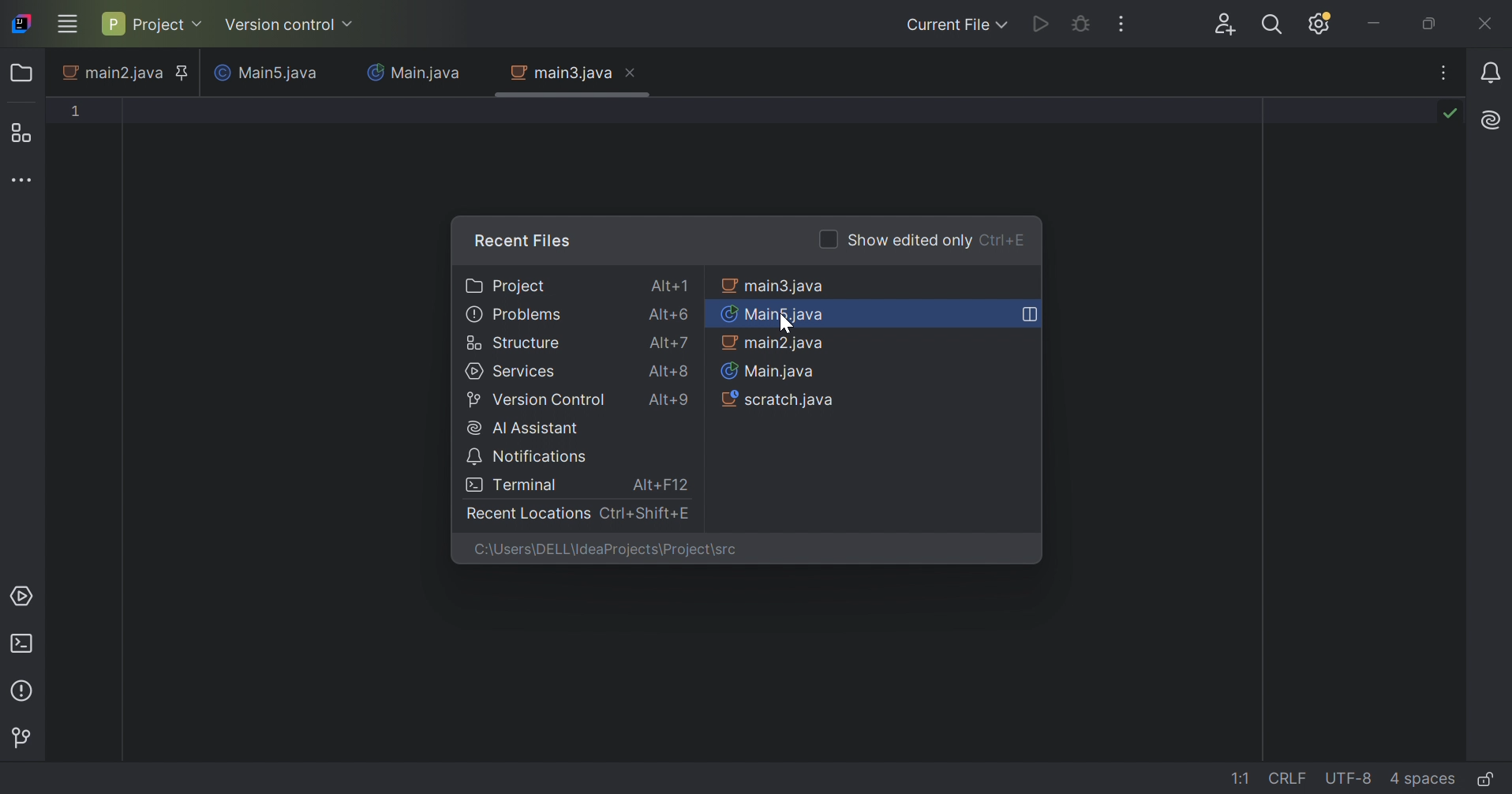 This screenshot has height=794, width=1512. Describe the element at coordinates (152, 24) in the screenshot. I see `Project` at that location.